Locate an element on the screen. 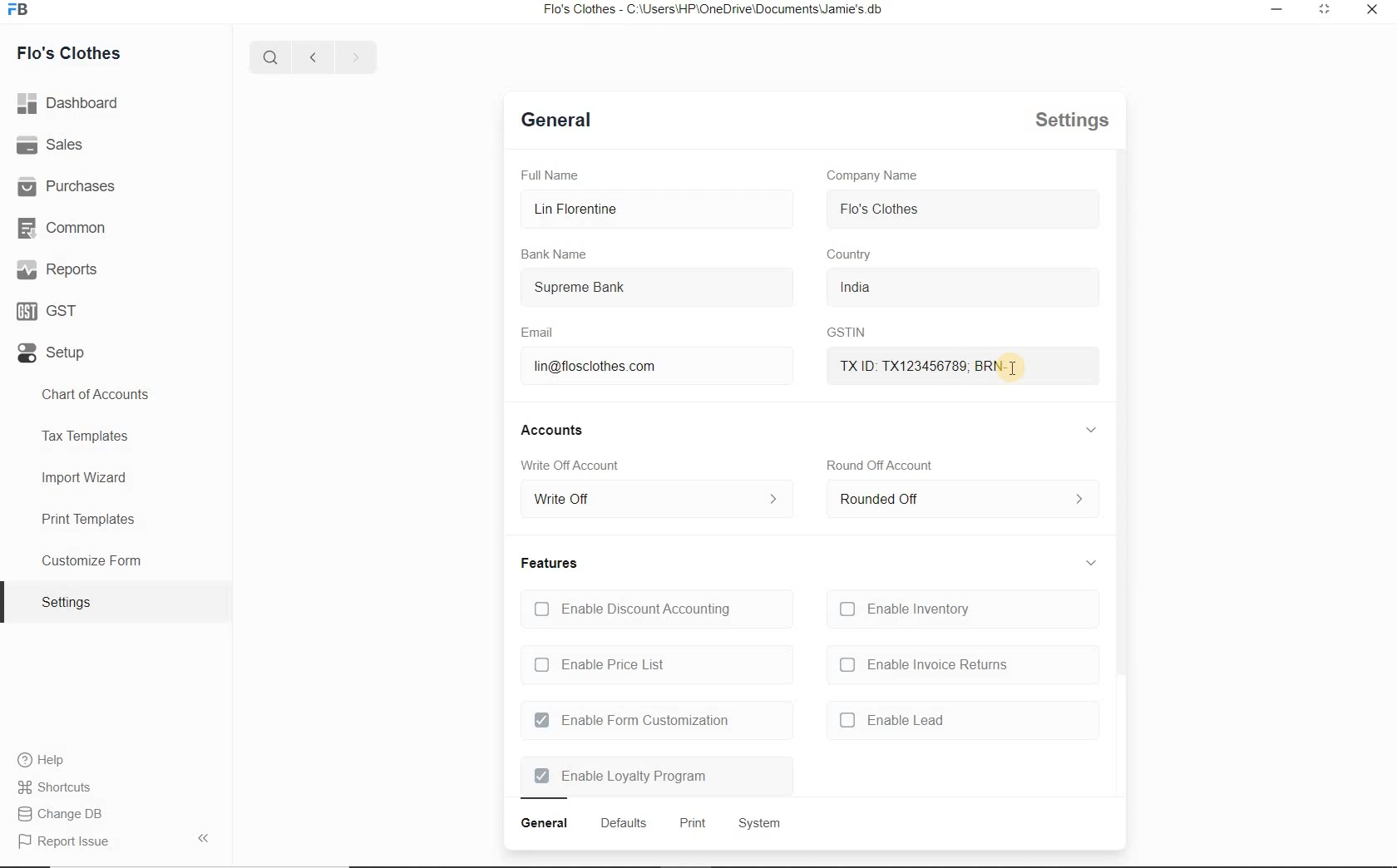 This screenshot has height=868, width=1397. Print Templates is located at coordinates (86, 518).